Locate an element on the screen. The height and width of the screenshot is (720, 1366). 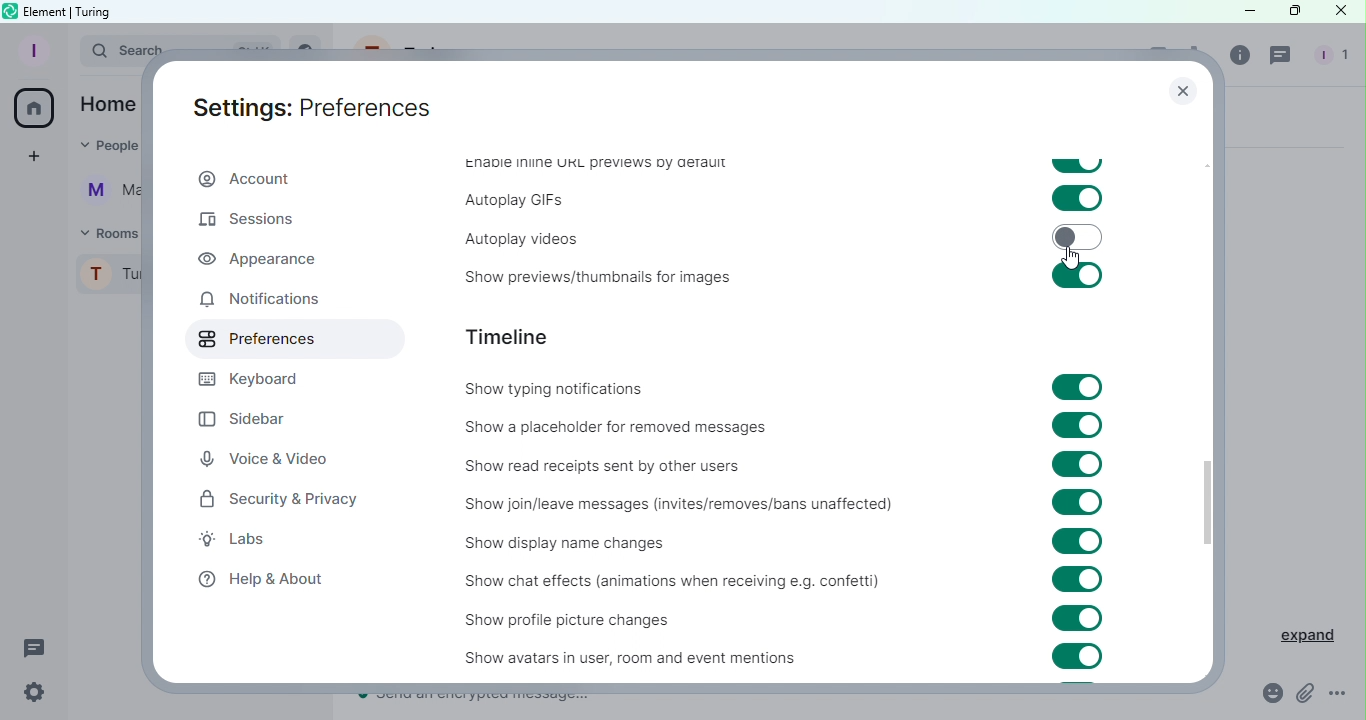
Show read receipts sent by other user is located at coordinates (664, 461).